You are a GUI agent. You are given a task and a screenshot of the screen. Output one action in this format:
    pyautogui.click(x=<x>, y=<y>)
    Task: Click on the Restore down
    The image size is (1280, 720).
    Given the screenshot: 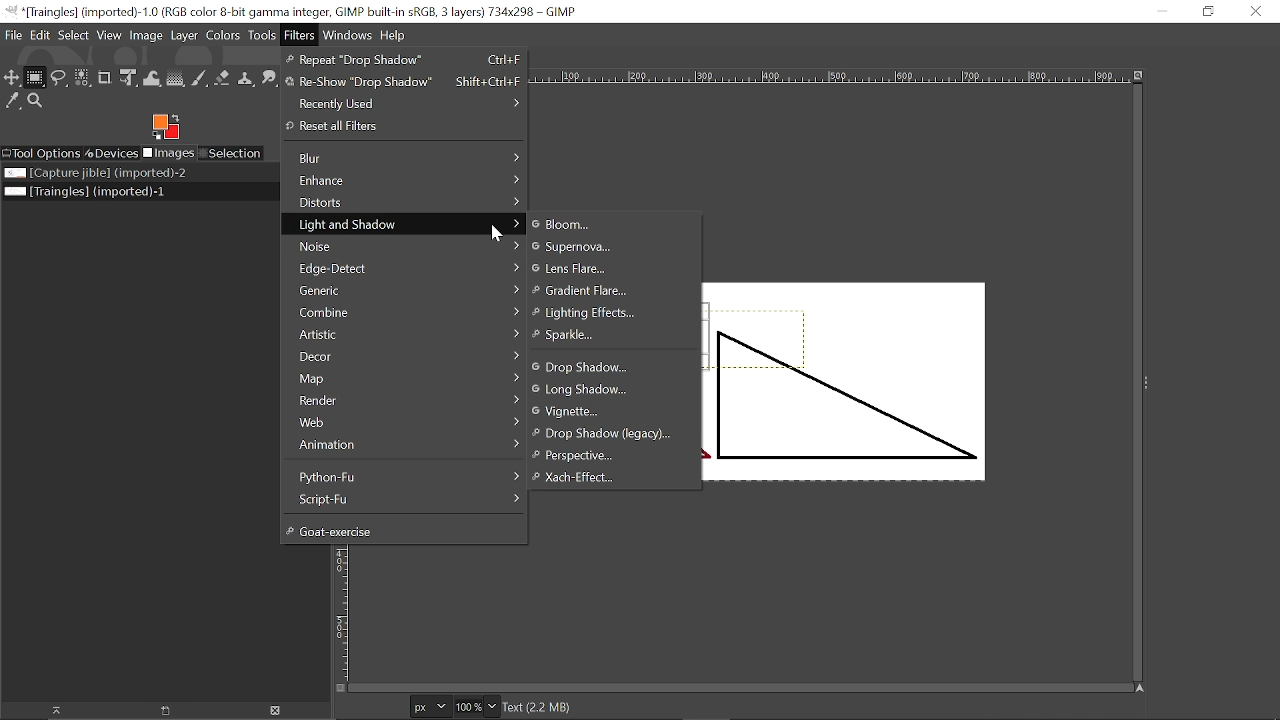 What is the action you would take?
    pyautogui.click(x=1210, y=12)
    